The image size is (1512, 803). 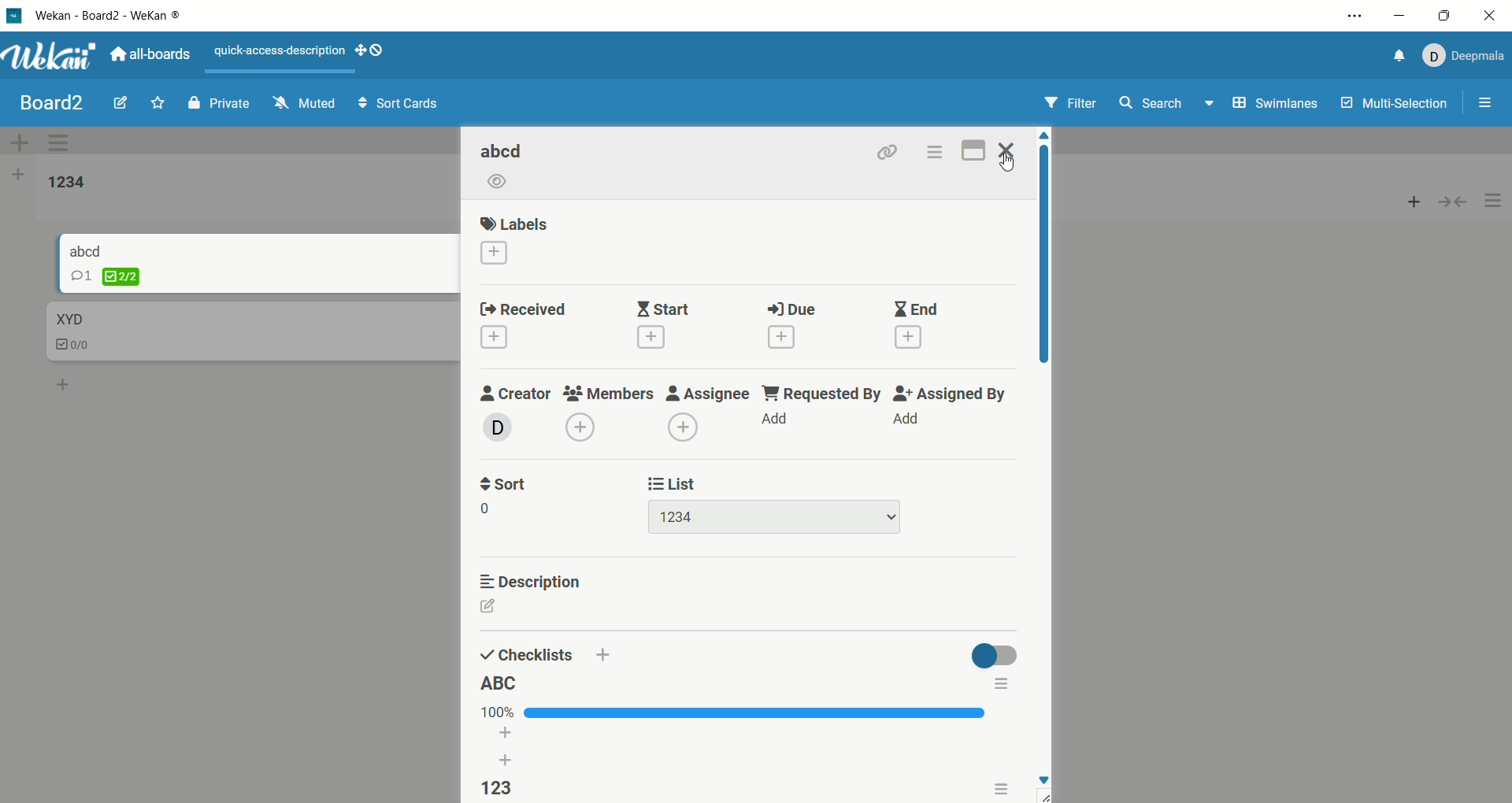 What do you see at coordinates (1076, 103) in the screenshot?
I see `filter` at bounding box center [1076, 103].